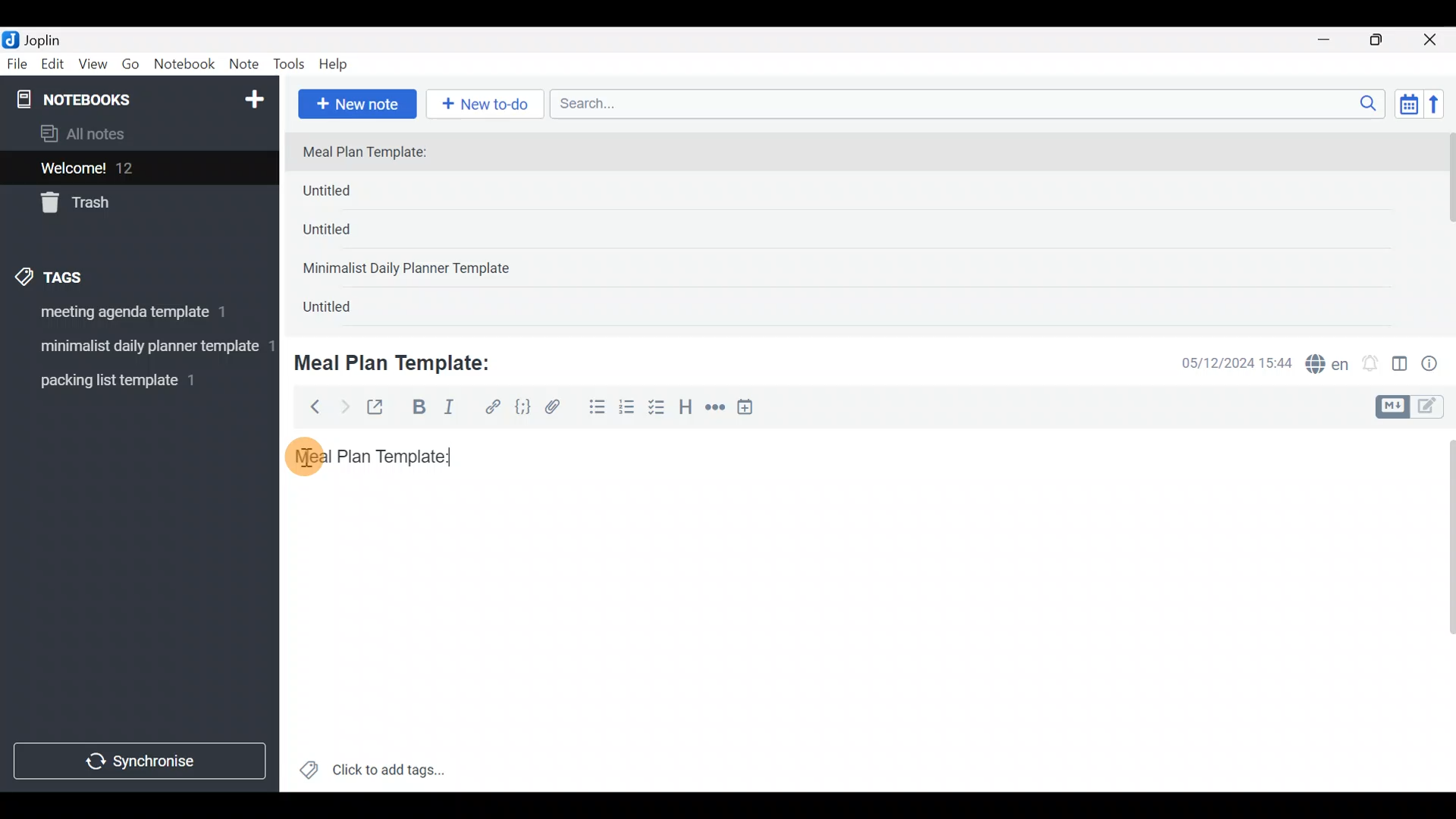 Image resolution: width=1456 pixels, height=819 pixels. I want to click on Tags, so click(85, 275).